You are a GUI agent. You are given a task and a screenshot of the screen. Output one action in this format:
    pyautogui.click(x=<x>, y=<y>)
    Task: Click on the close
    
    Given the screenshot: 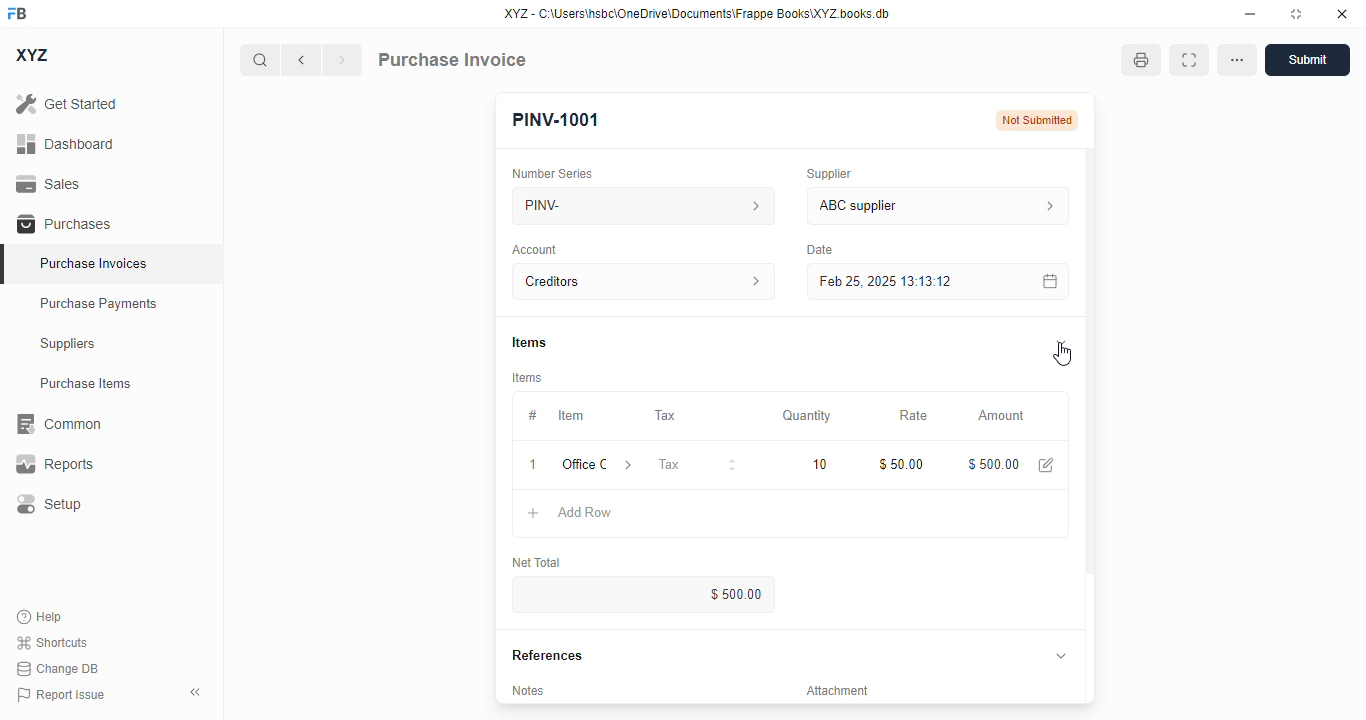 What is the action you would take?
    pyautogui.click(x=1342, y=13)
    